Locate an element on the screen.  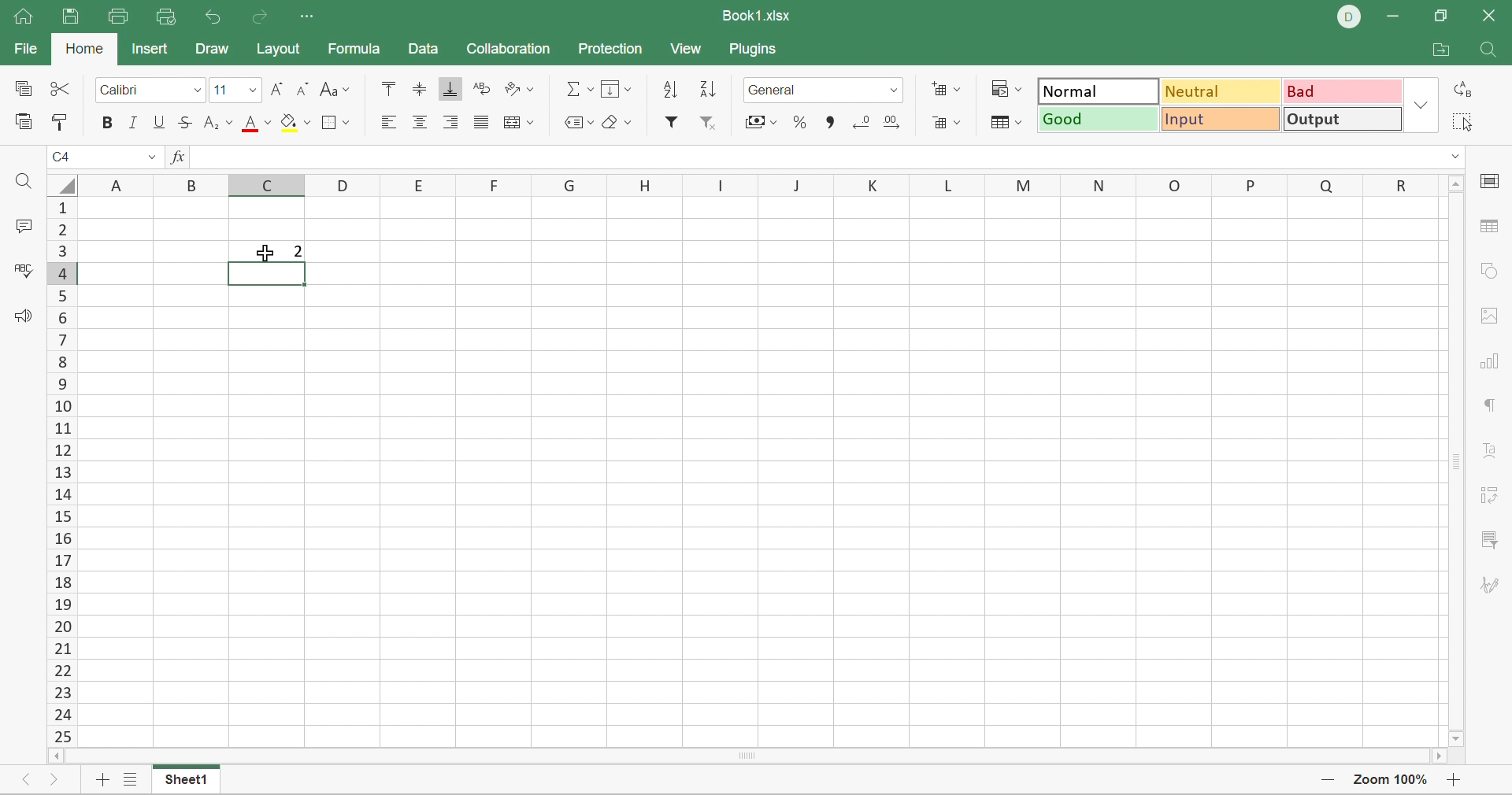
Find is located at coordinates (20, 184).